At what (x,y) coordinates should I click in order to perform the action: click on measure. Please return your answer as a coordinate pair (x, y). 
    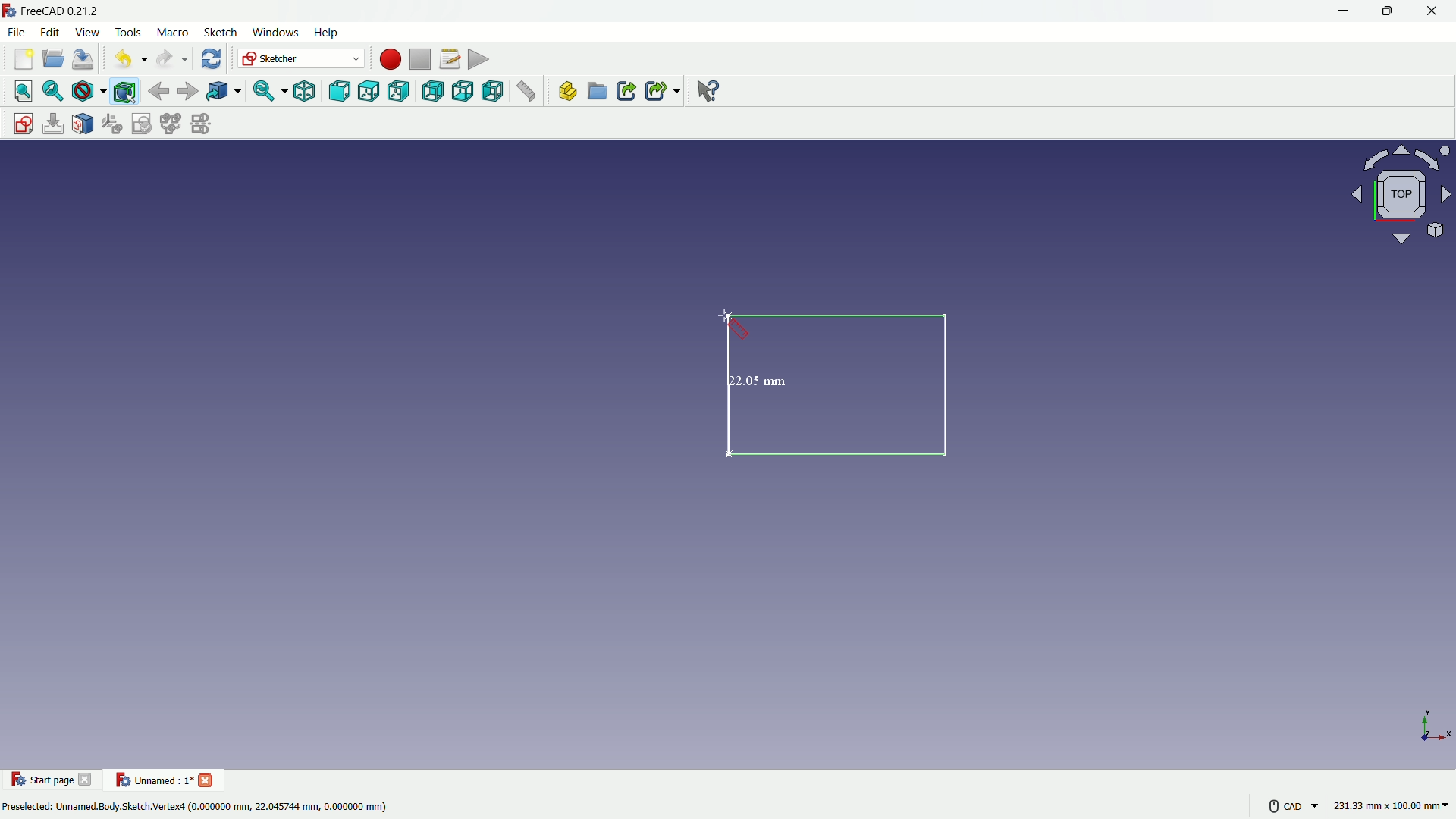
    Looking at the image, I should click on (528, 93).